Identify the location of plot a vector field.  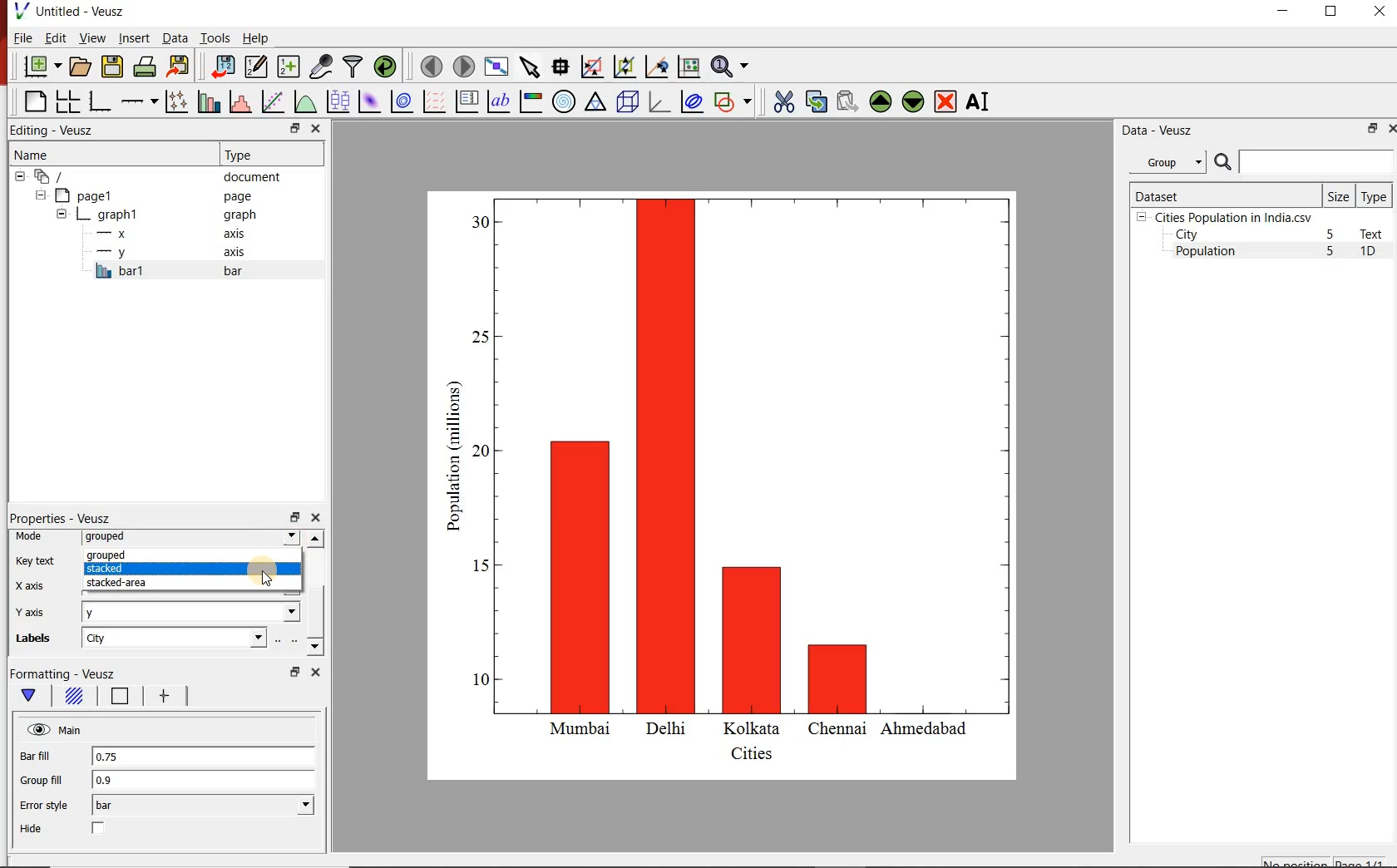
(432, 101).